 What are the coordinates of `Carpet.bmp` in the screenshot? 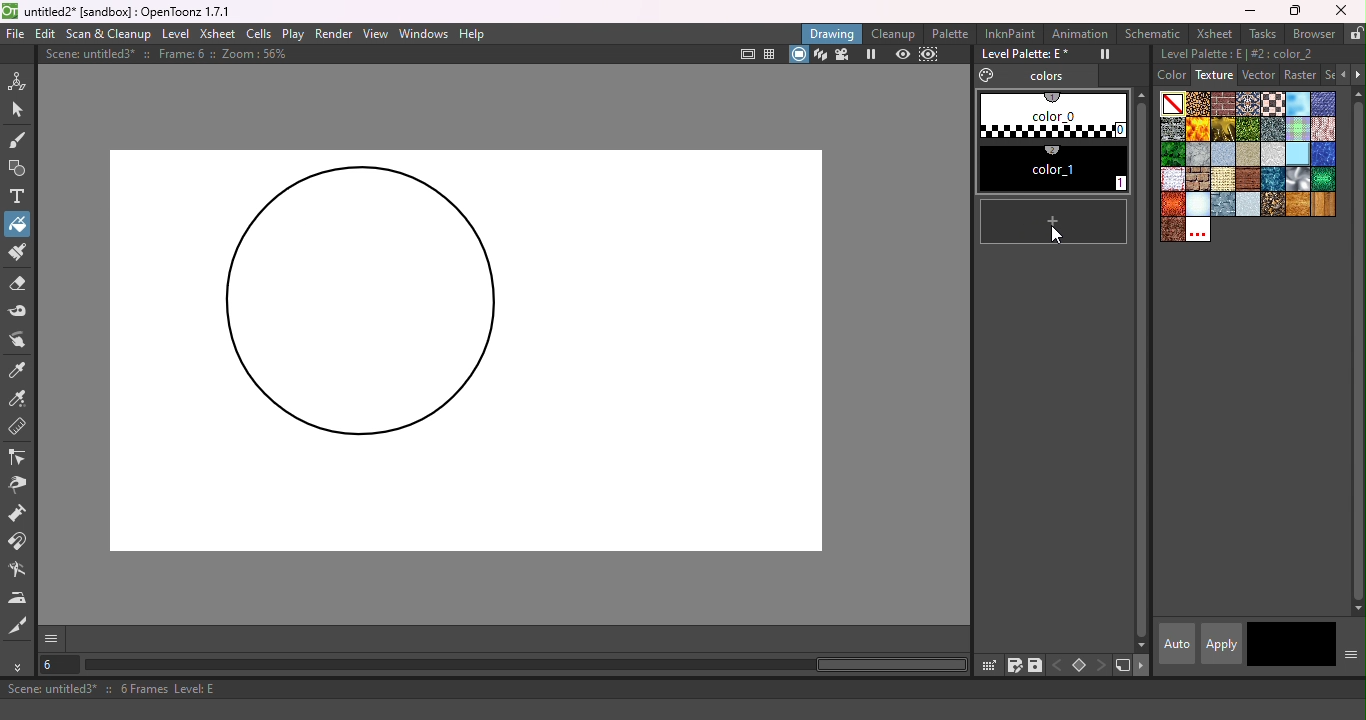 It's located at (1249, 104).